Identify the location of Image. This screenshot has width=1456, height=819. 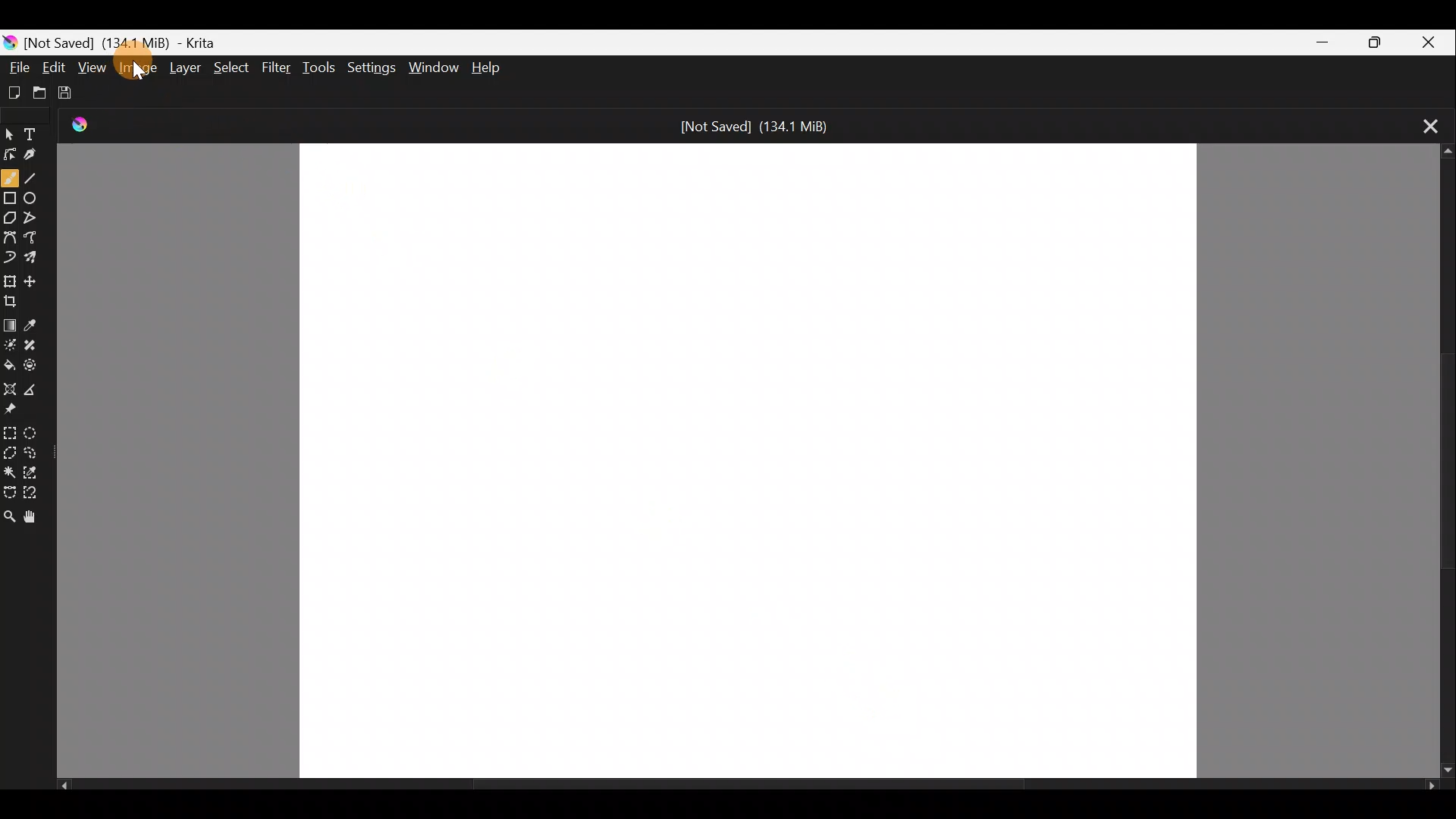
(136, 70).